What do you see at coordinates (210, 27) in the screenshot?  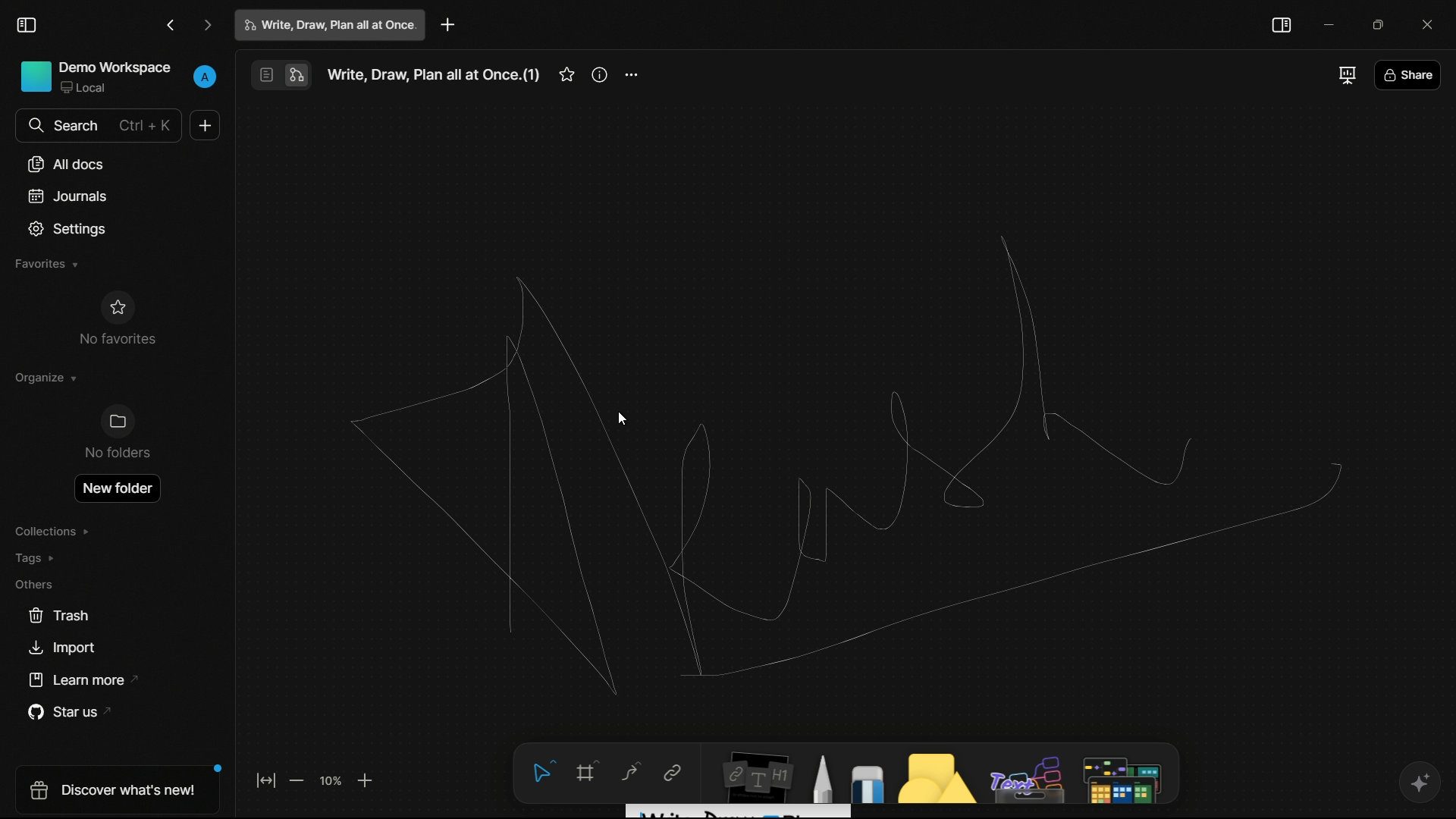 I see `go forward` at bounding box center [210, 27].